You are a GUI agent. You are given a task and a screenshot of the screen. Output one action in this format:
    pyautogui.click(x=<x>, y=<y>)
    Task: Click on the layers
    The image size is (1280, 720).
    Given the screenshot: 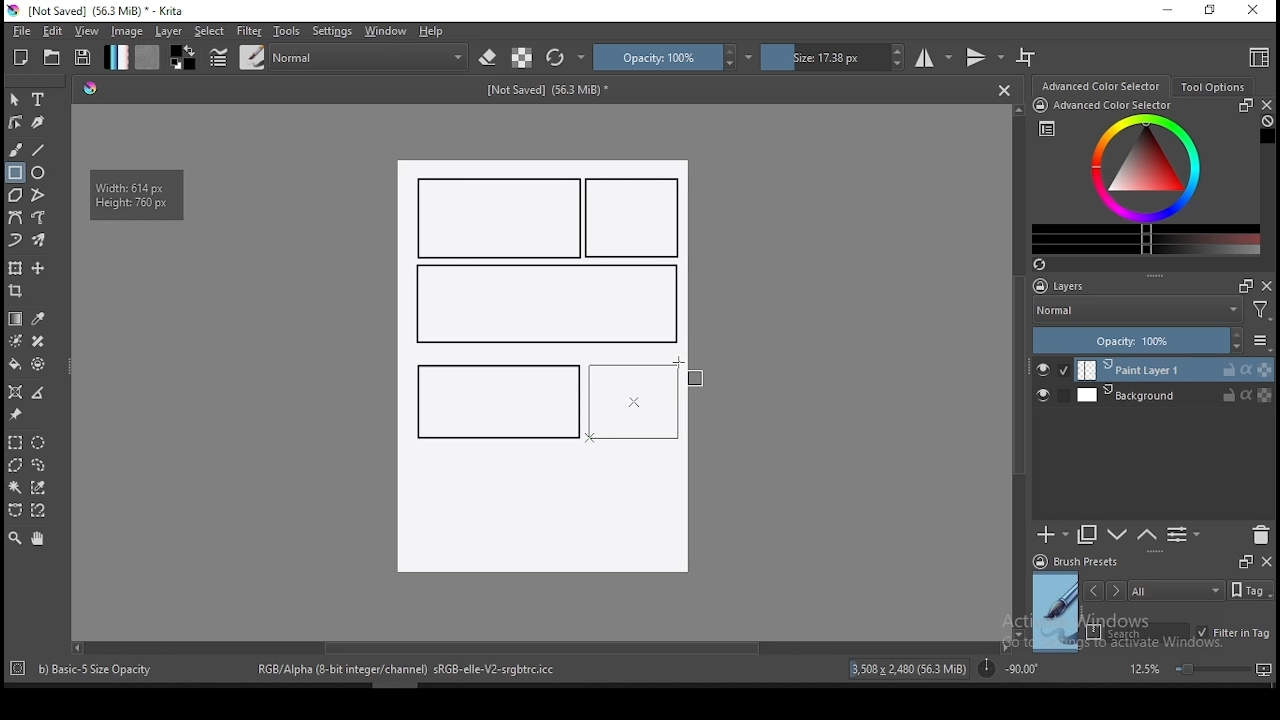 What is the action you would take?
    pyautogui.click(x=1065, y=287)
    